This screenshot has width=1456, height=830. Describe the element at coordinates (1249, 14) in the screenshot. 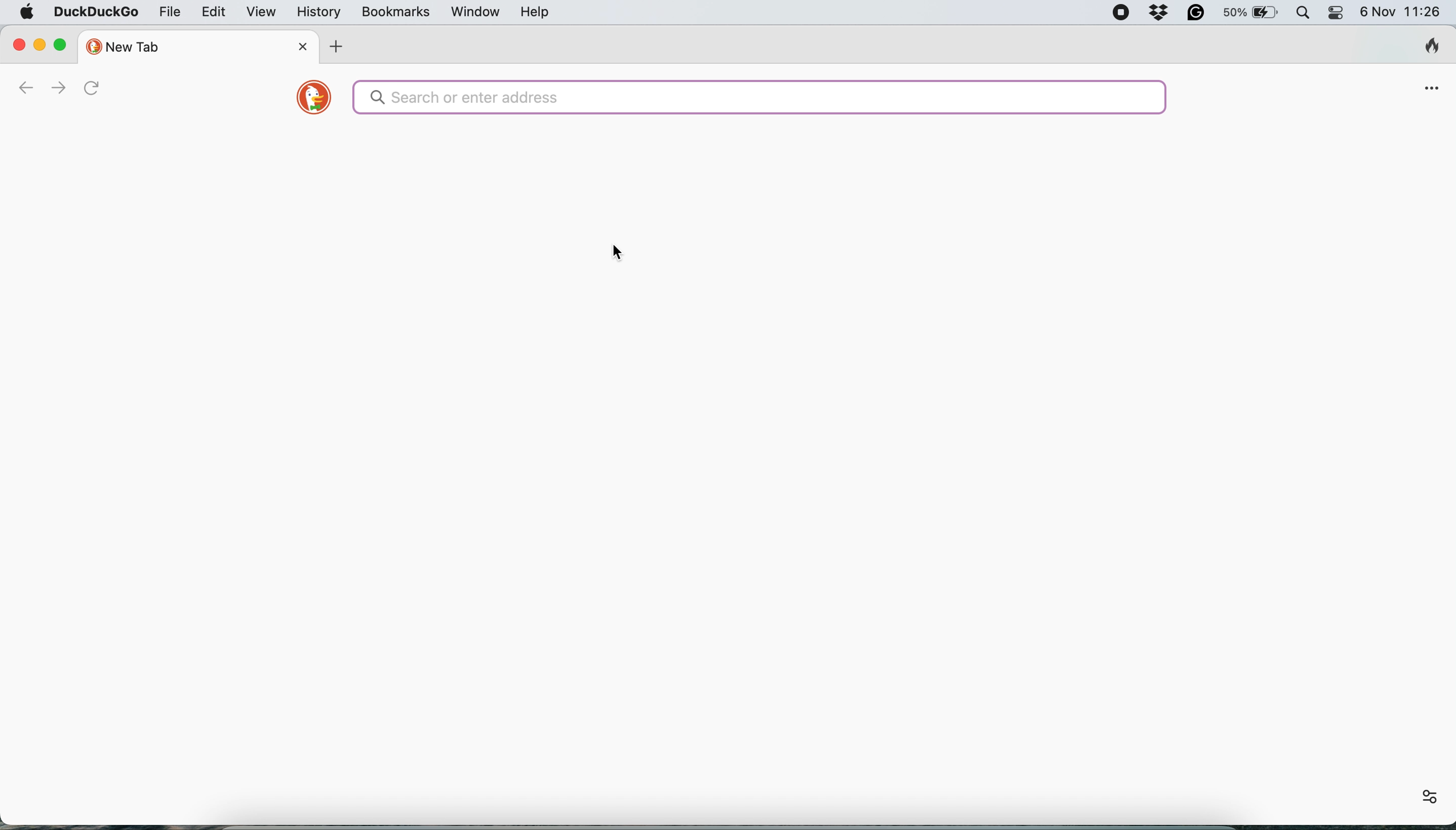

I see `battery` at that location.